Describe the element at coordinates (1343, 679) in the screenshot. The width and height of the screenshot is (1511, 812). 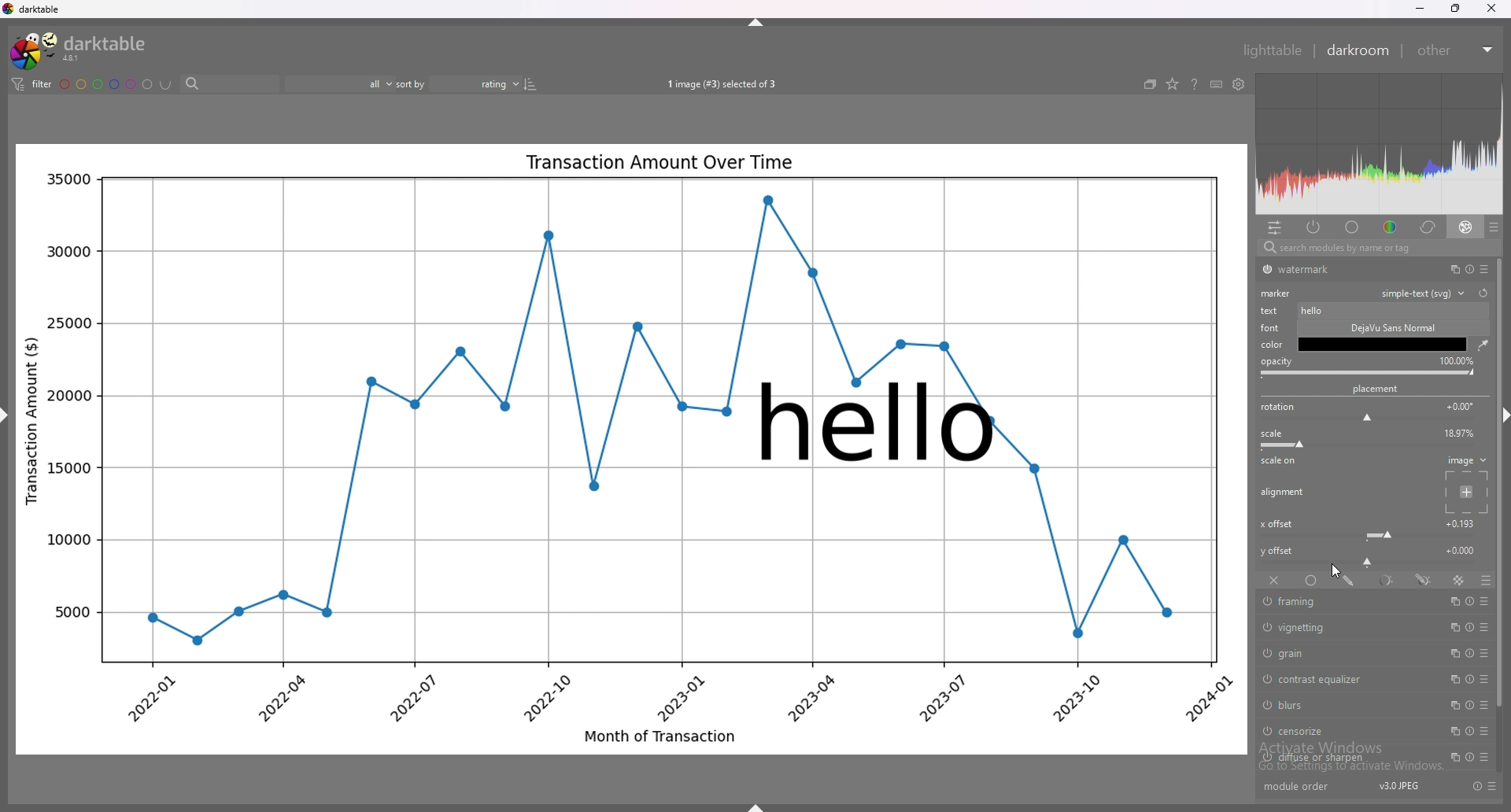
I see `contrast equalizer` at that location.